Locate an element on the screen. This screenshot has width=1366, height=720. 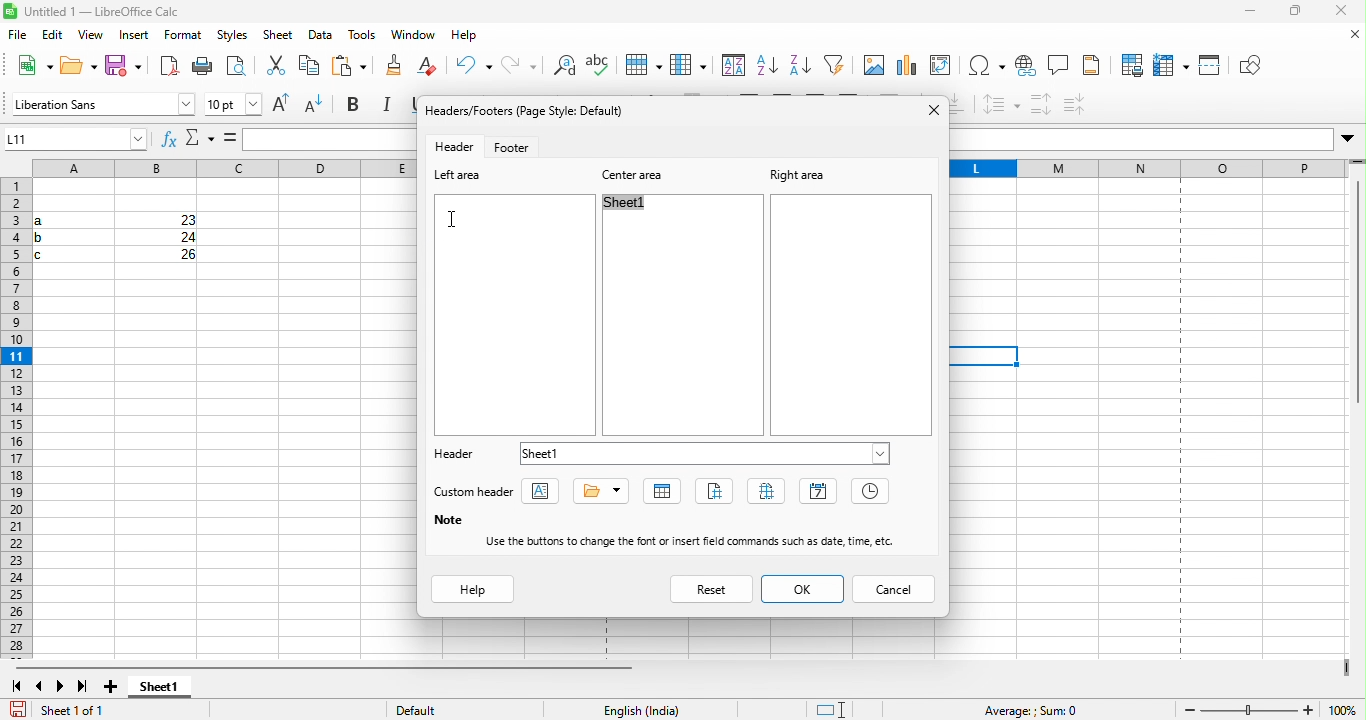
last sheet is located at coordinates (84, 683).